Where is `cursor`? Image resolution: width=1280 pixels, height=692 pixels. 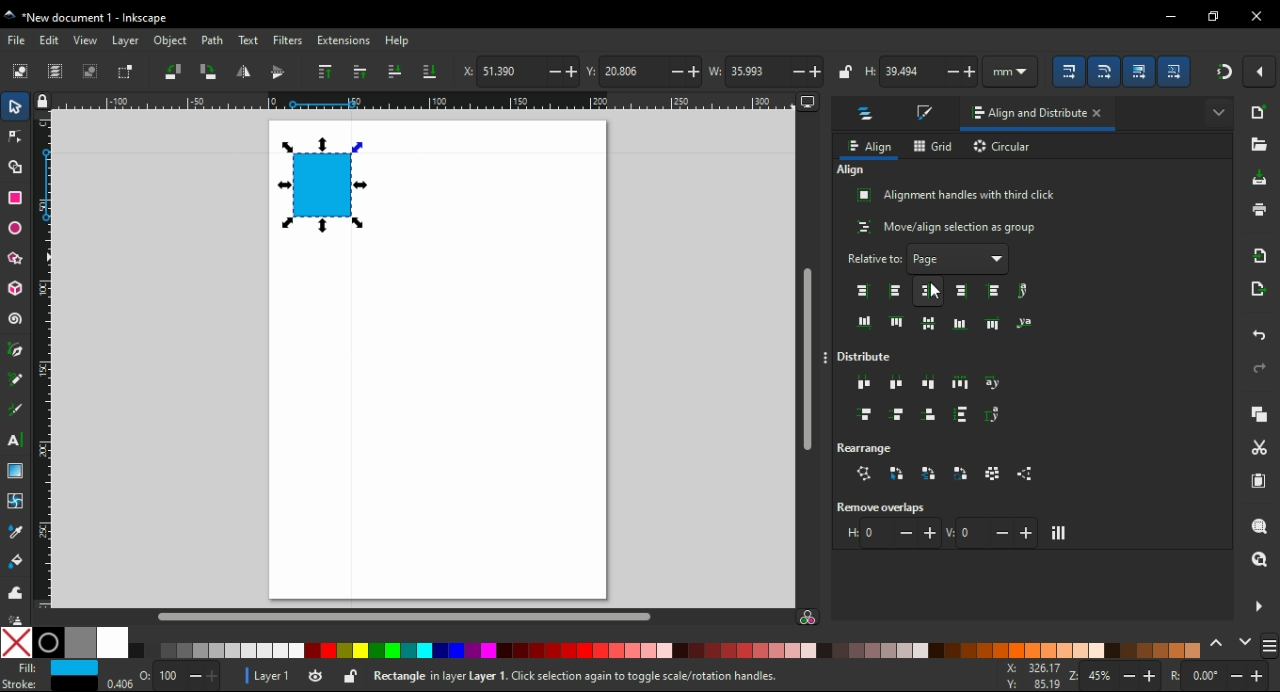
cursor is located at coordinates (936, 292).